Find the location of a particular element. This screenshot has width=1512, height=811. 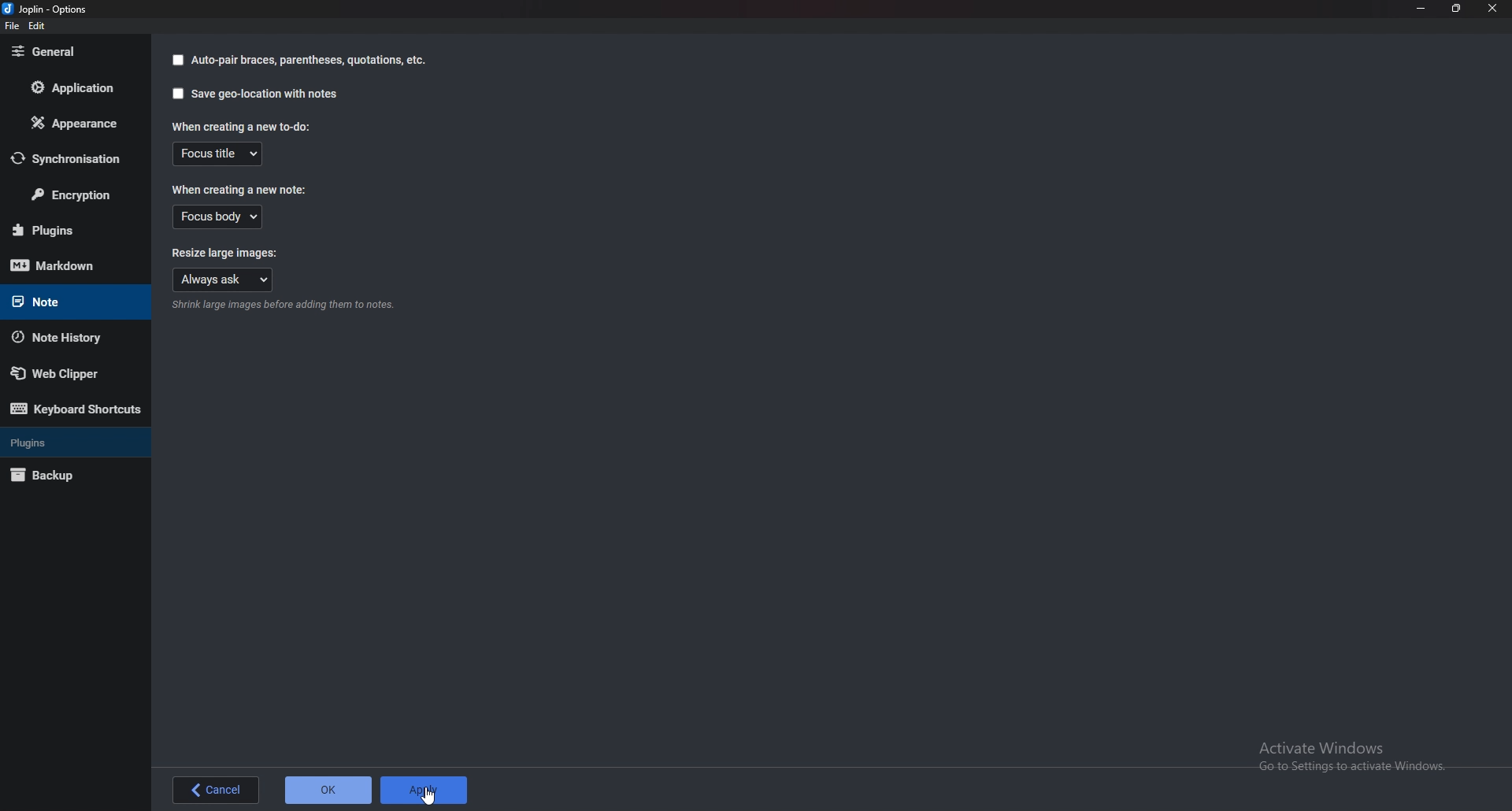

Save geo locations with notes is located at coordinates (265, 94).